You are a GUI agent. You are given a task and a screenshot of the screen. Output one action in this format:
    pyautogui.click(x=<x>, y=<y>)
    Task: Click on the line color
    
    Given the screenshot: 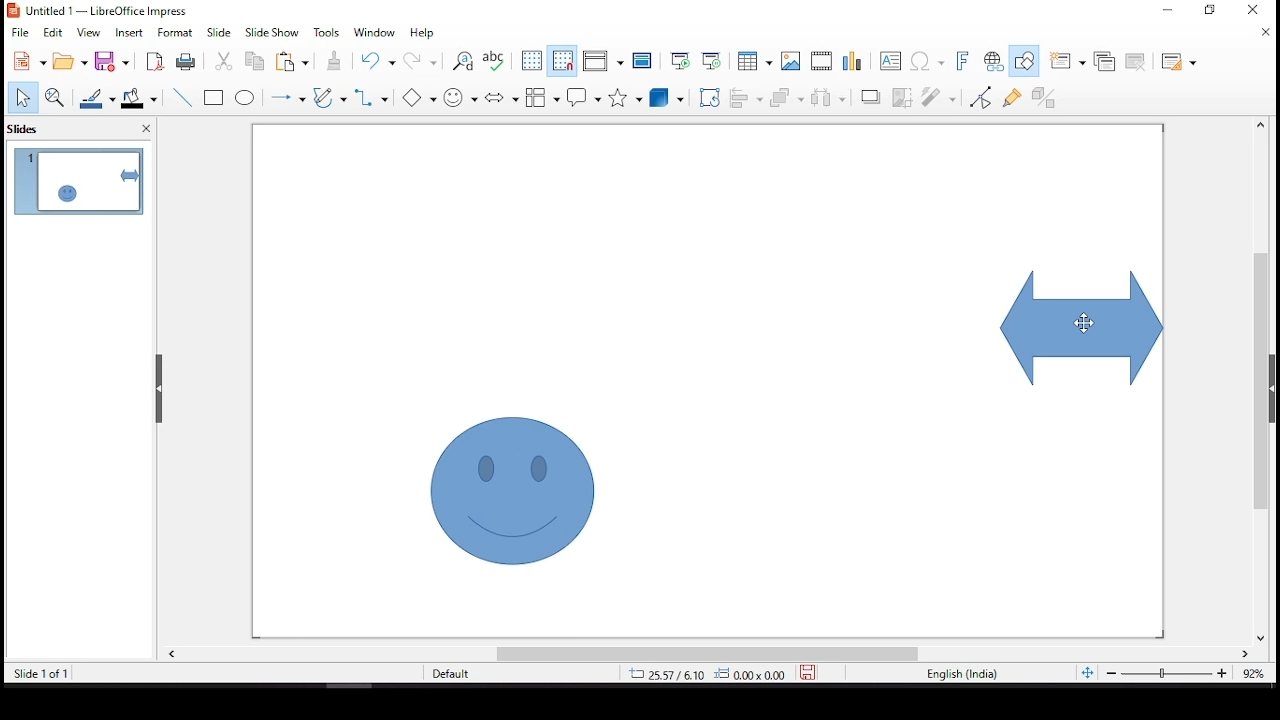 What is the action you would take?
    pyautogui.click(x=99, y=98)
    